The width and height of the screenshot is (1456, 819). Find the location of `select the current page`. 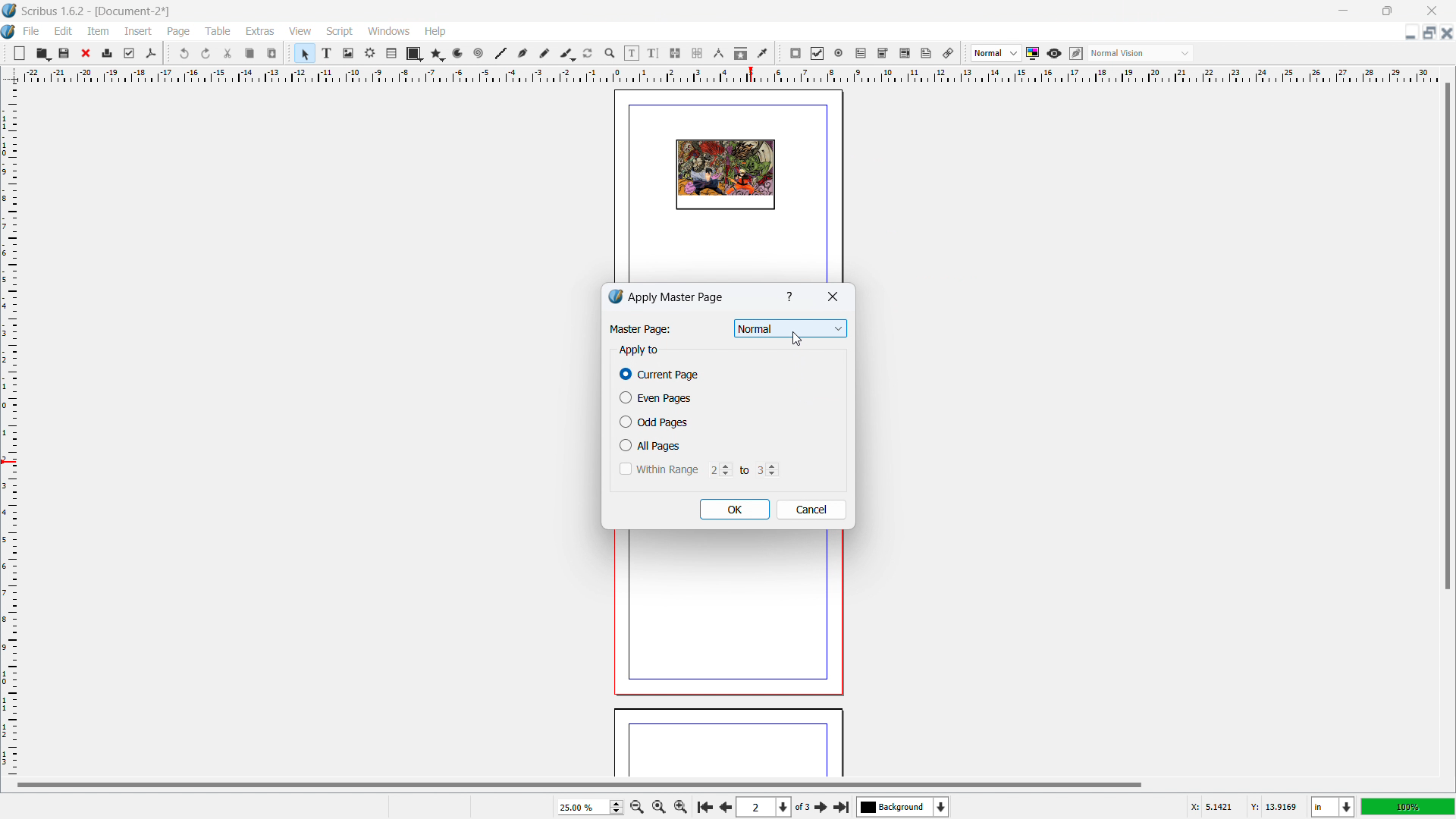

select the current page is located at coordinates (764, 808).